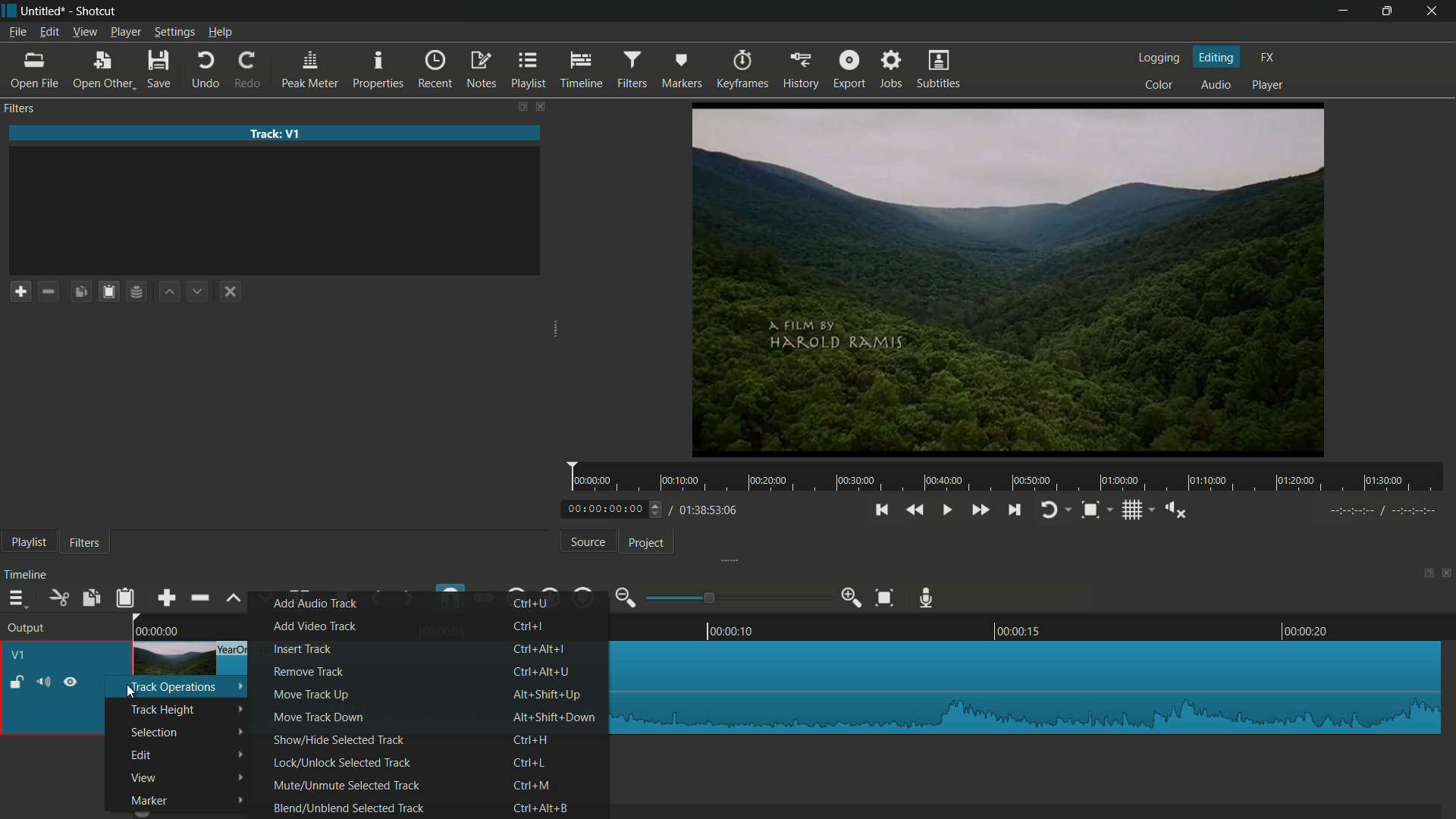 Image resolution: width=1456 pixels, height=819 pixels. Describe the element at coordinates (198, 290) in the screenshot. I see `move filter down` at that location.